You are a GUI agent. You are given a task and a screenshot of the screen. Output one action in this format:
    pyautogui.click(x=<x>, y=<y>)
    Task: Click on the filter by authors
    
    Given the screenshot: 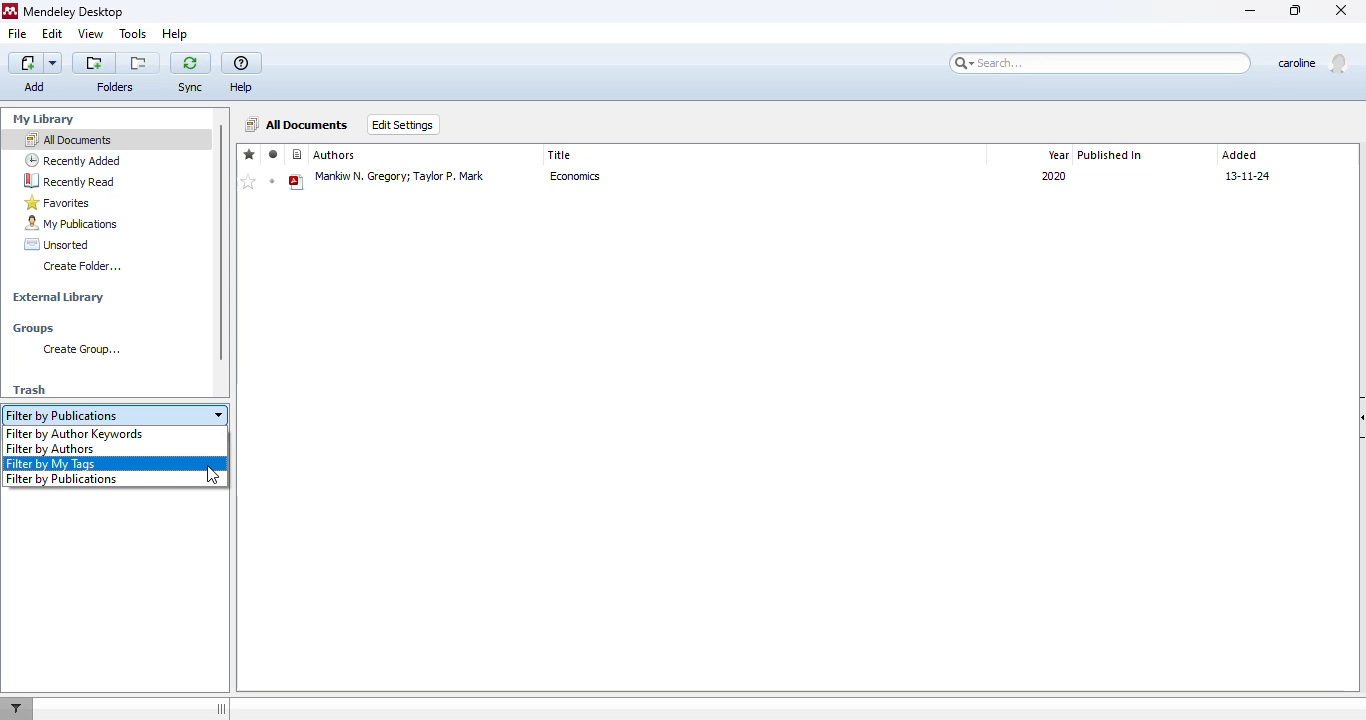 What is the action you would take?
    pyautogui.click(x=51, y=449)
    